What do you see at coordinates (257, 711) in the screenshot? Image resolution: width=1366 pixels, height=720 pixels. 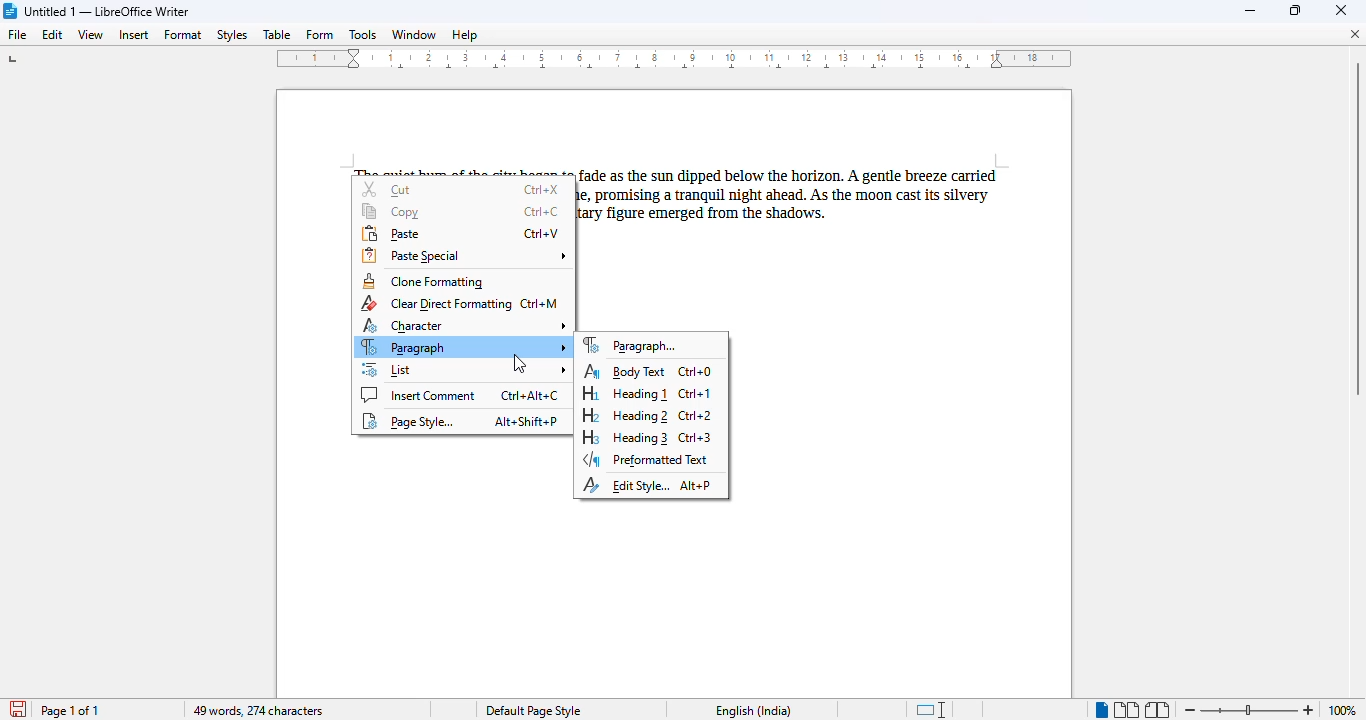 I see `49 words, 274 characters` at bounding box center [257, 711].